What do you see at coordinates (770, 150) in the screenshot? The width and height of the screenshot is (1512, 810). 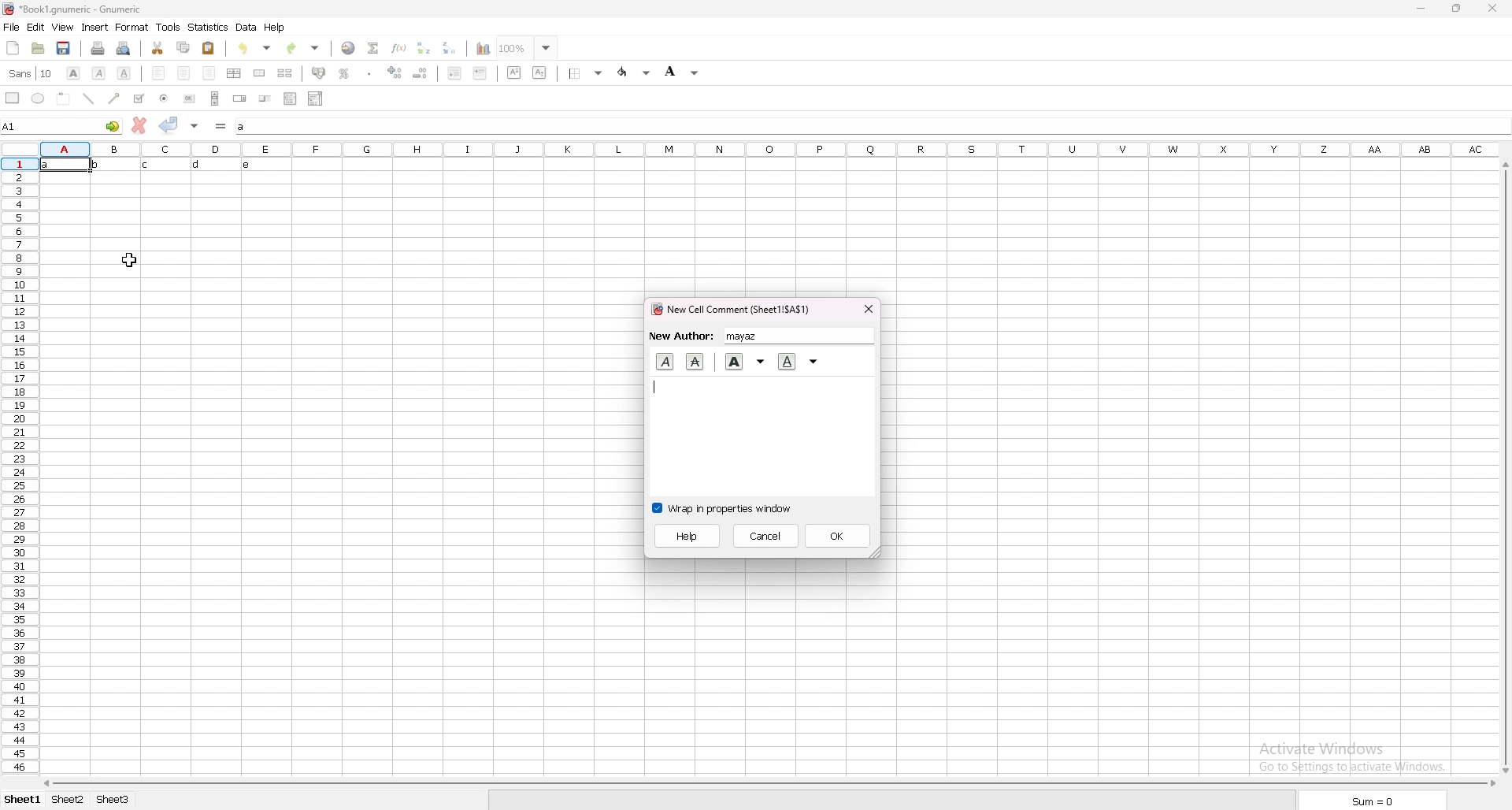 I see `column` at bounding box center [770, 150].